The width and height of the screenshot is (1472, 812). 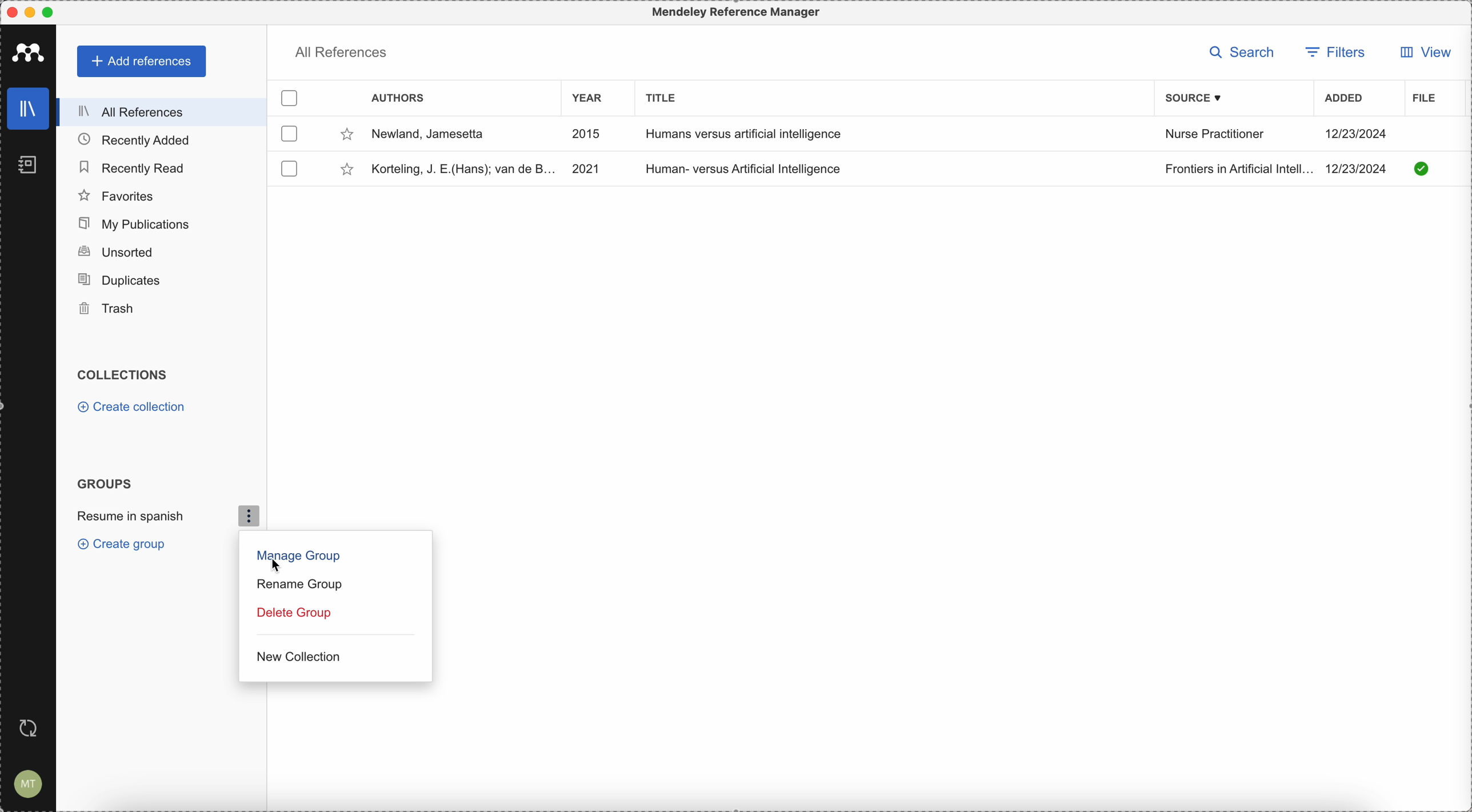 I want to click on 2015, so click(x=589, y=136).